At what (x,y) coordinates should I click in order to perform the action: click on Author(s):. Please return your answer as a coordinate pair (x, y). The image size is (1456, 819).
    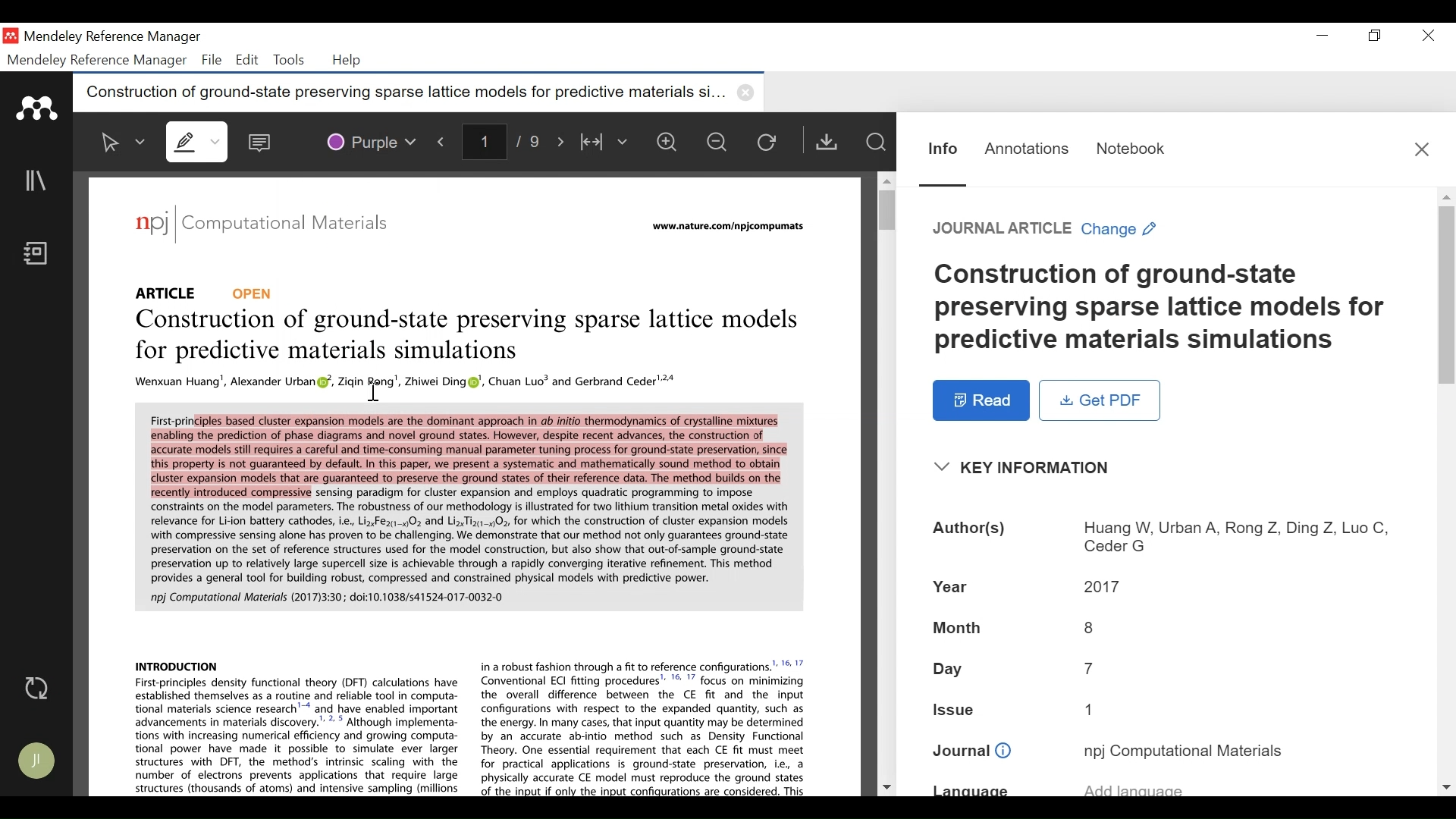
    Looking at the image, I should click on (968, 532).